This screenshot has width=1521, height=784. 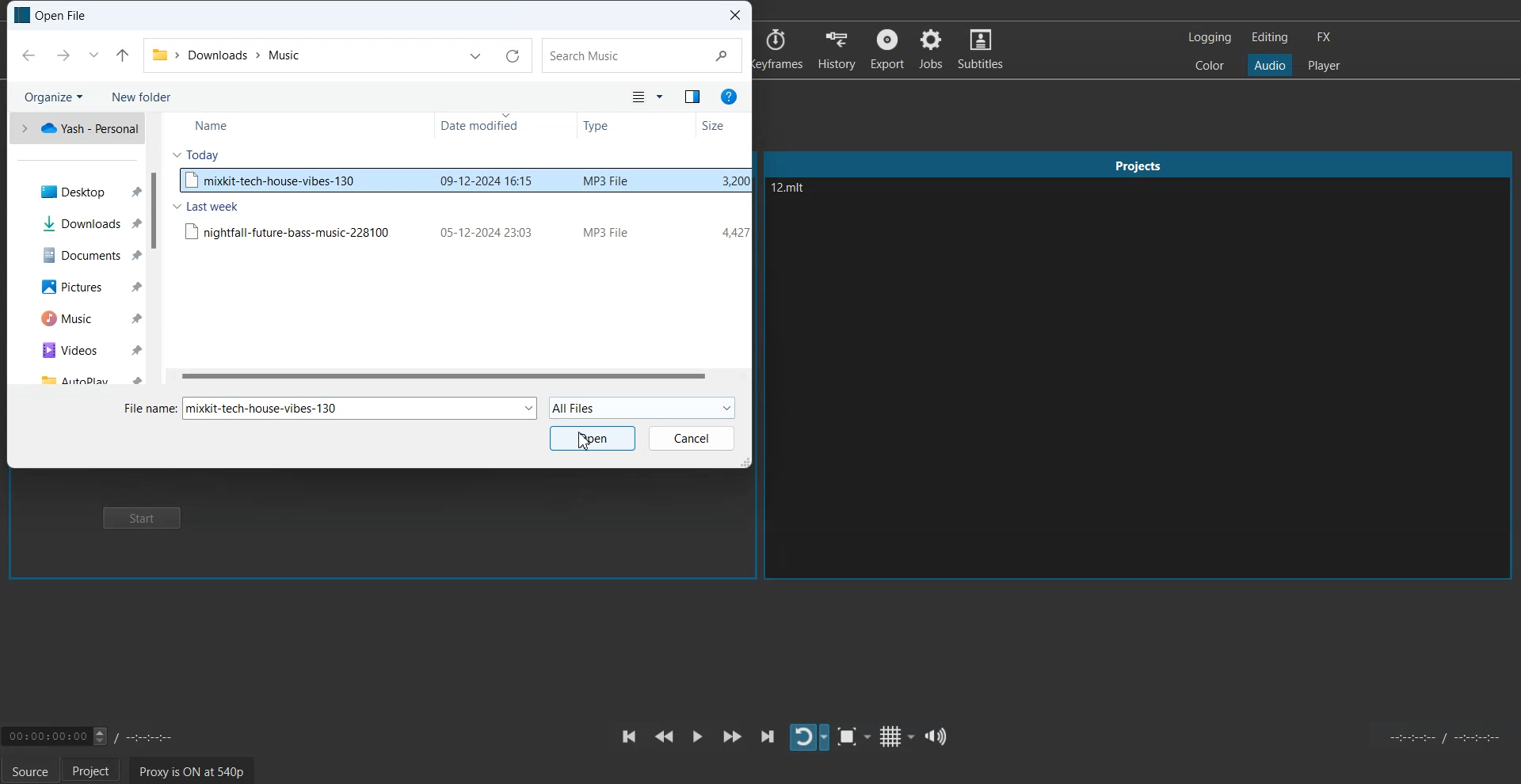 I want to click on Audio, so click(x=1270, y=66).